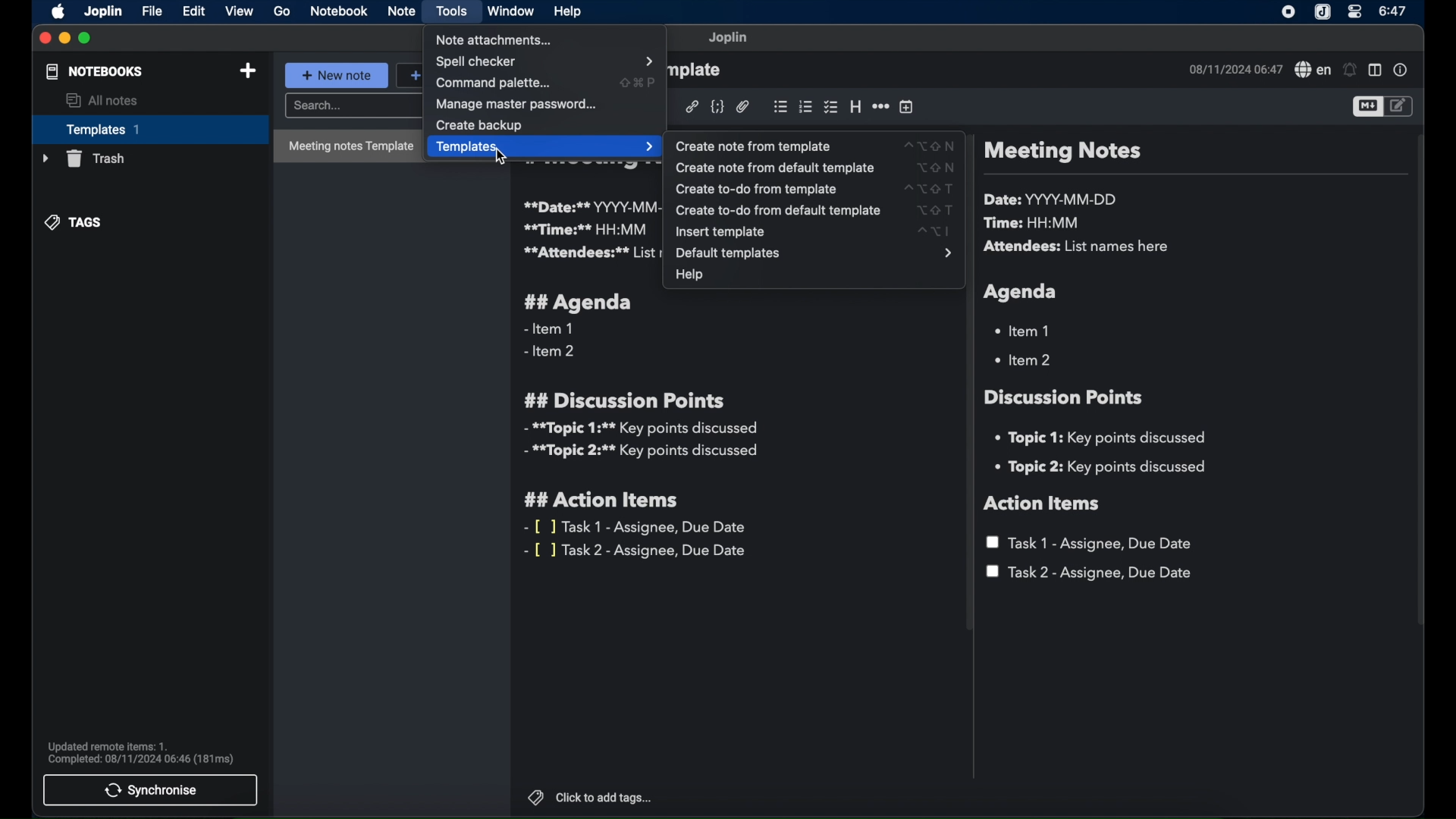 The width and height of the screenshot is (1456, 819). I want to click on meeting notes template , so click(347, 147).